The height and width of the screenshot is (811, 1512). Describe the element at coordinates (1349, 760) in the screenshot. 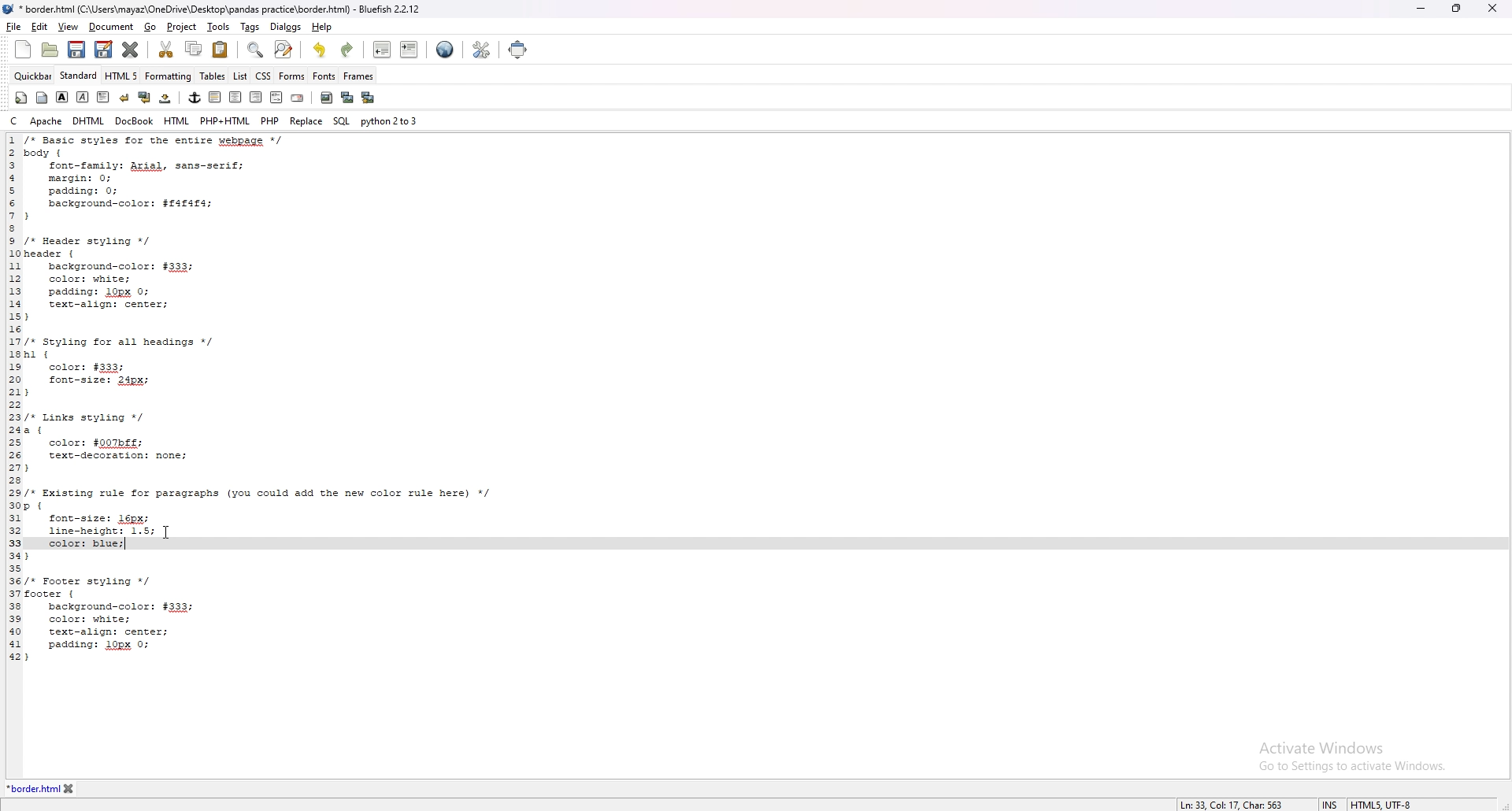

I see `Activate Windows Go to Settings to activate Windows` at that location.